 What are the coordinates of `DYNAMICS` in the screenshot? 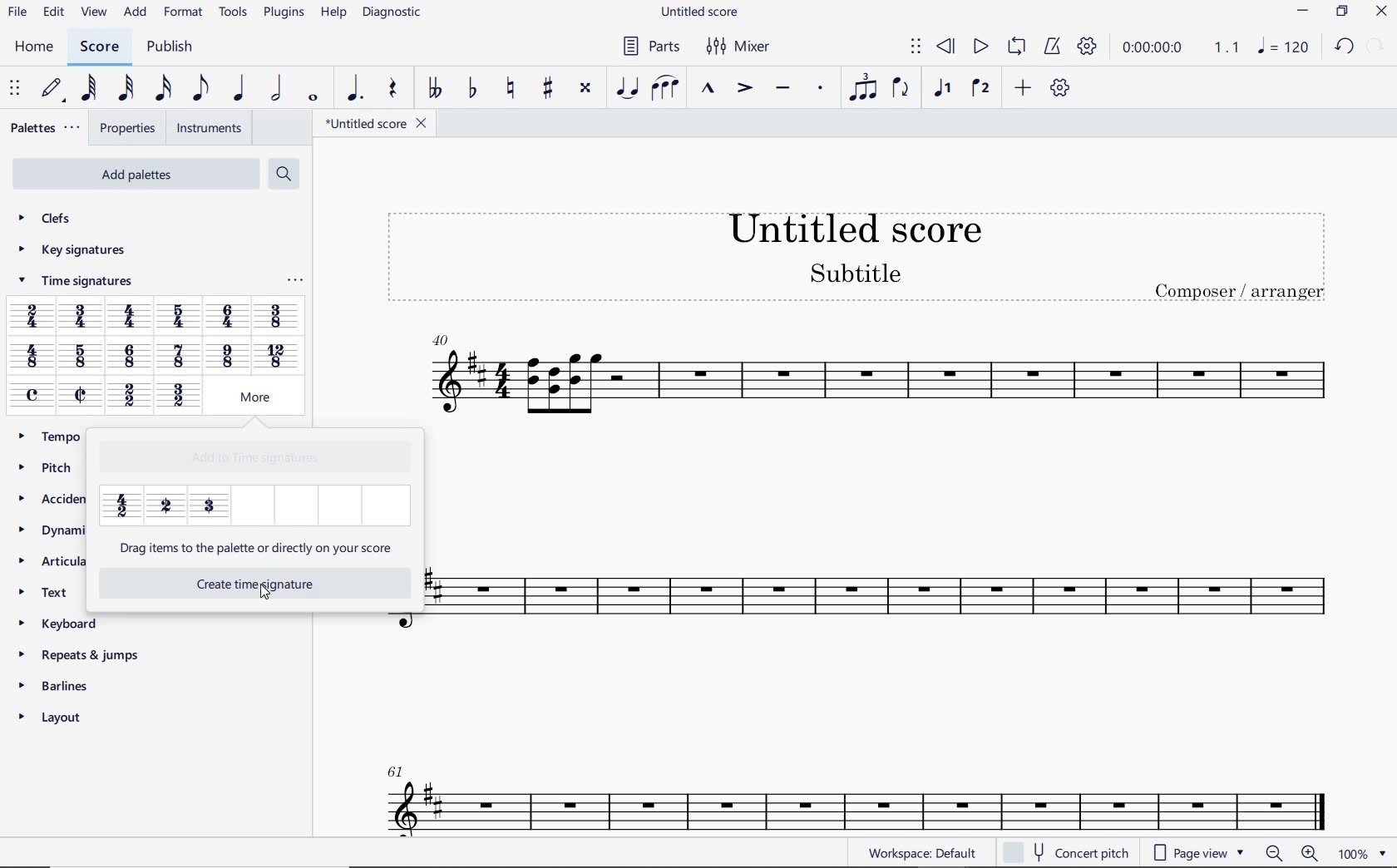 It's located at (51, 530).